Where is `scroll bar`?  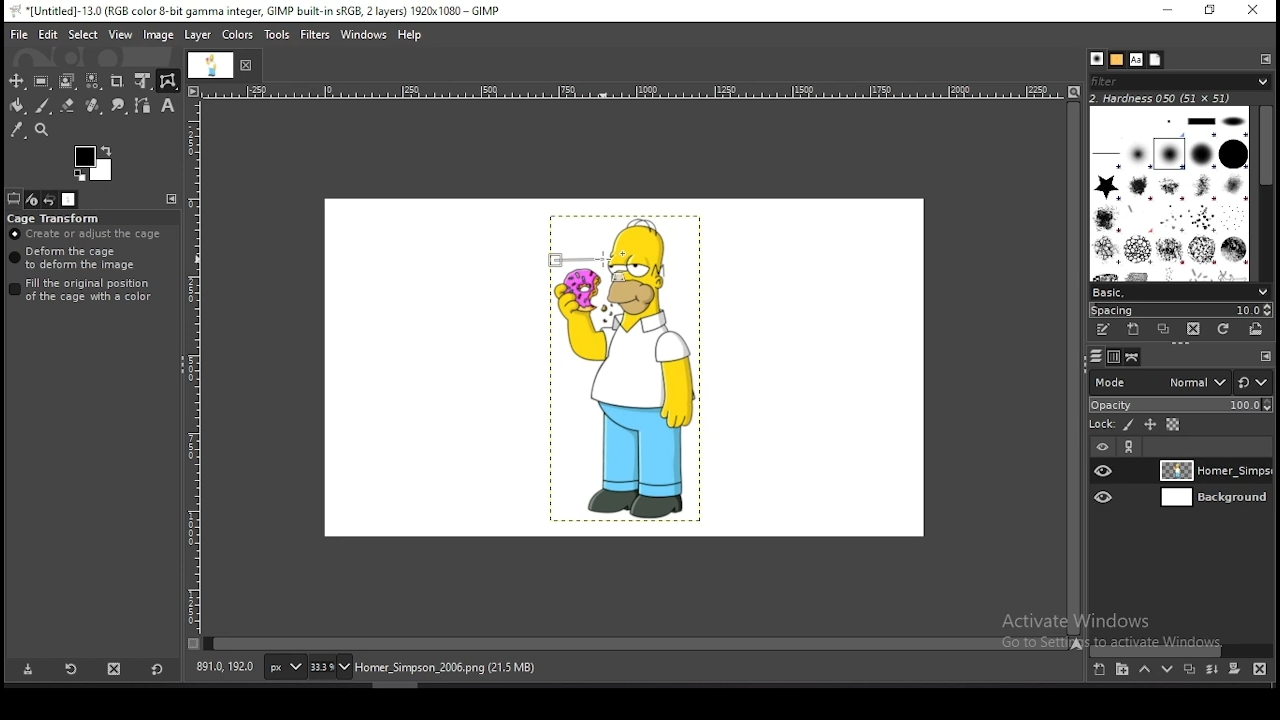
scroll bar is located at coordinates (636, 642).